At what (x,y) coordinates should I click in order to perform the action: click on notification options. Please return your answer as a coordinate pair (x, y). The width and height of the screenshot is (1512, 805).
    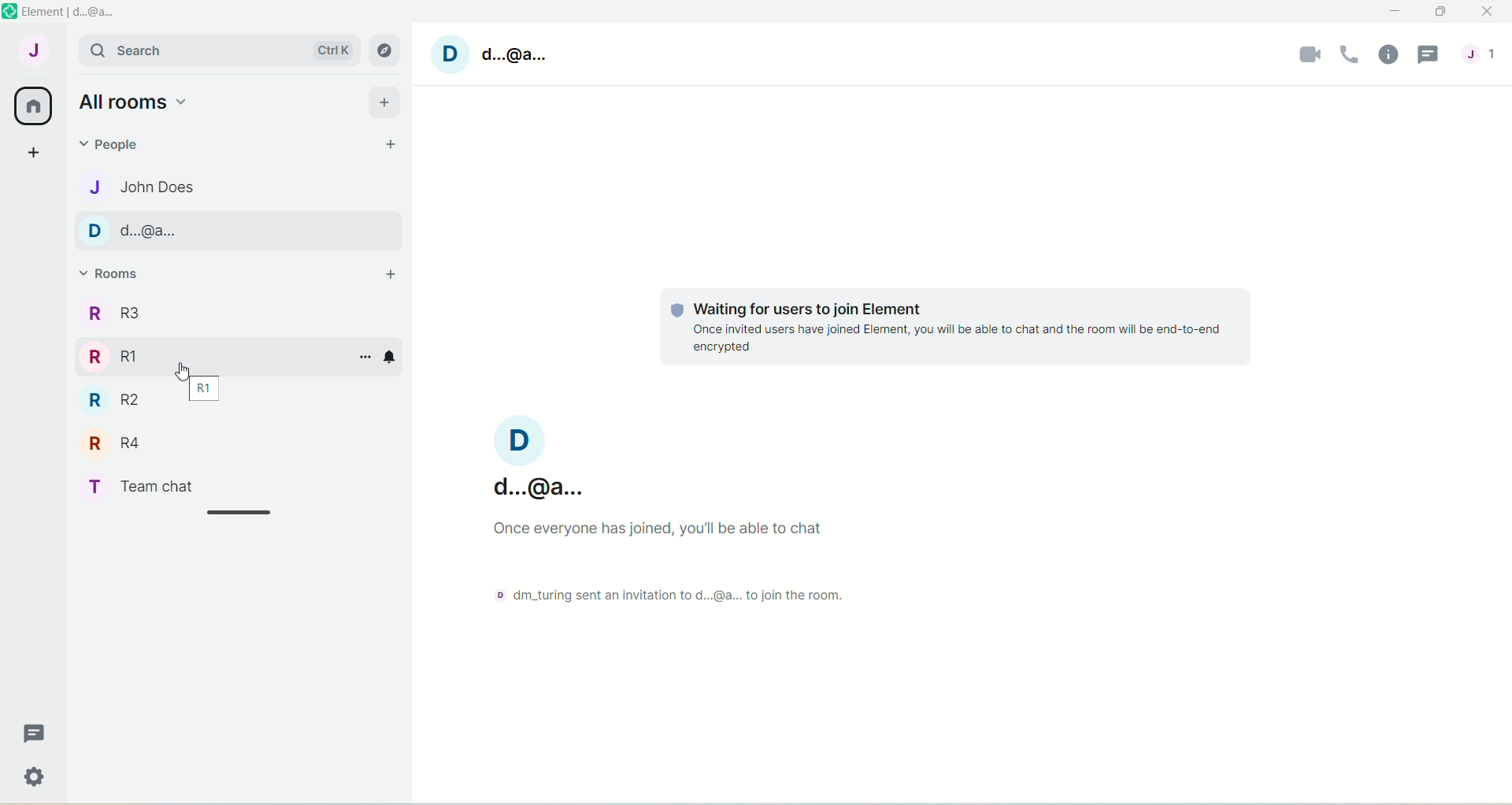
    Looking at the image, I should click on (393, 359).